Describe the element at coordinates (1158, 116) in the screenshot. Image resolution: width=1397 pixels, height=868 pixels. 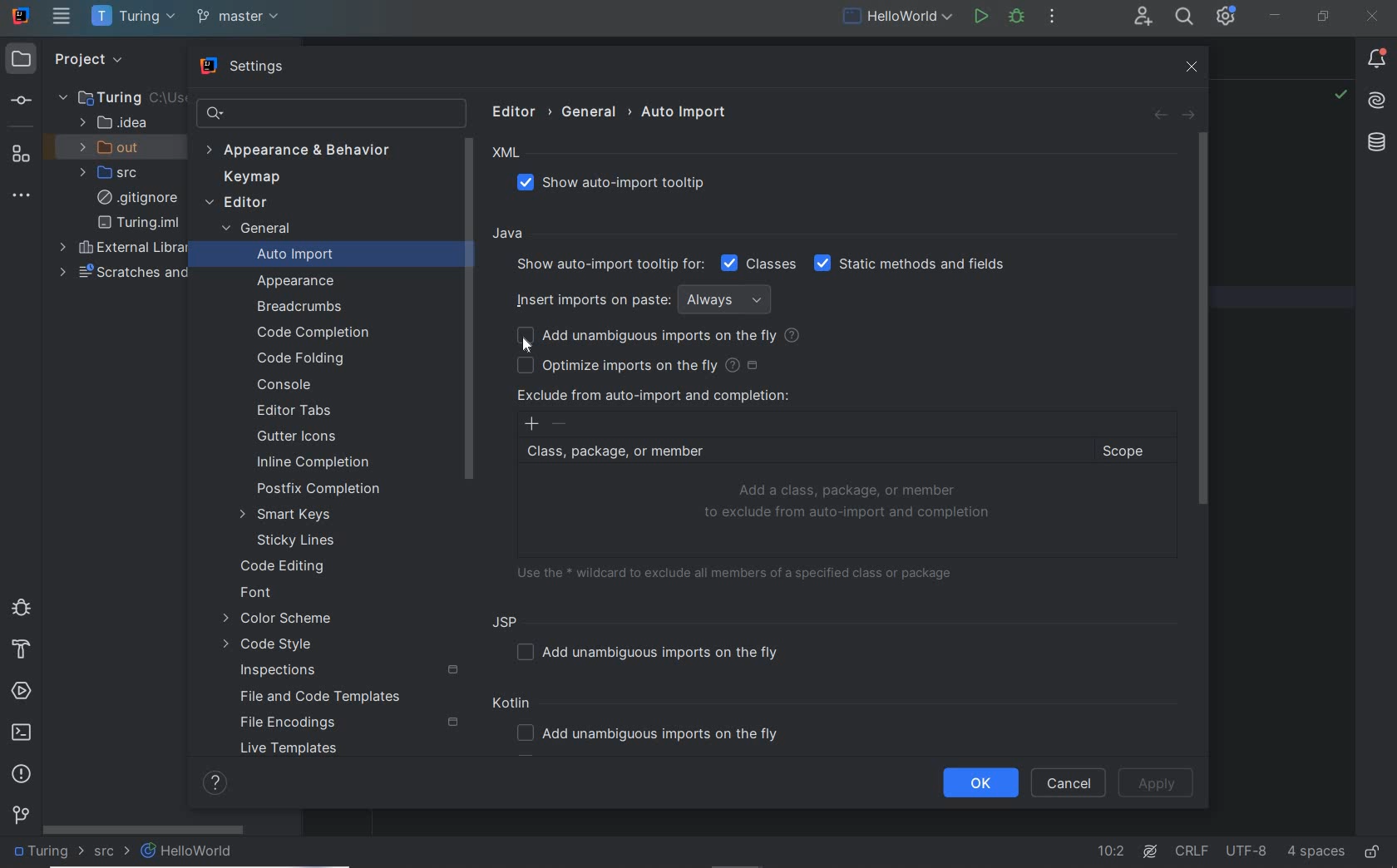
I see `back` at that location.